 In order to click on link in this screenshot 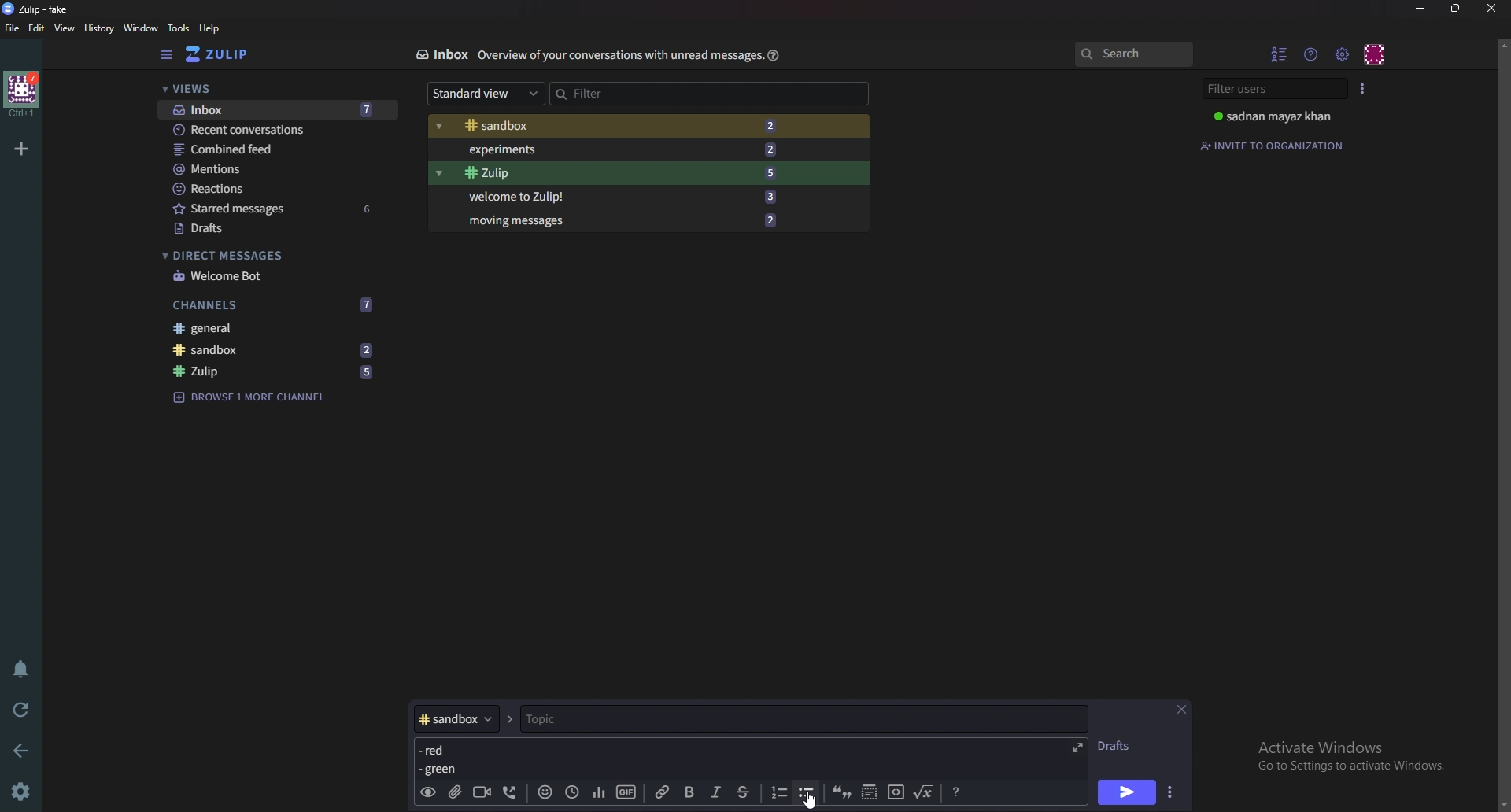, I will do `click(665, 792)`.